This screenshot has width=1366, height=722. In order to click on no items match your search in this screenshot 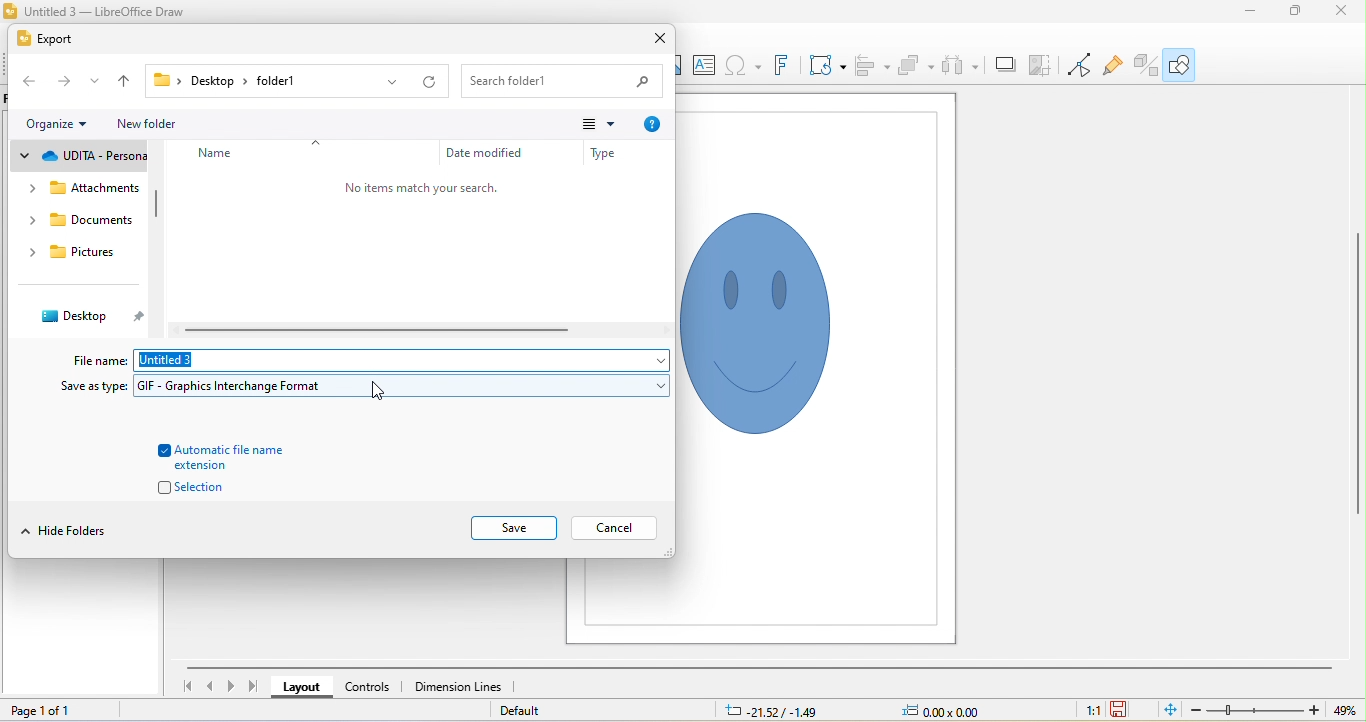, I will do `click(424, 187)`.